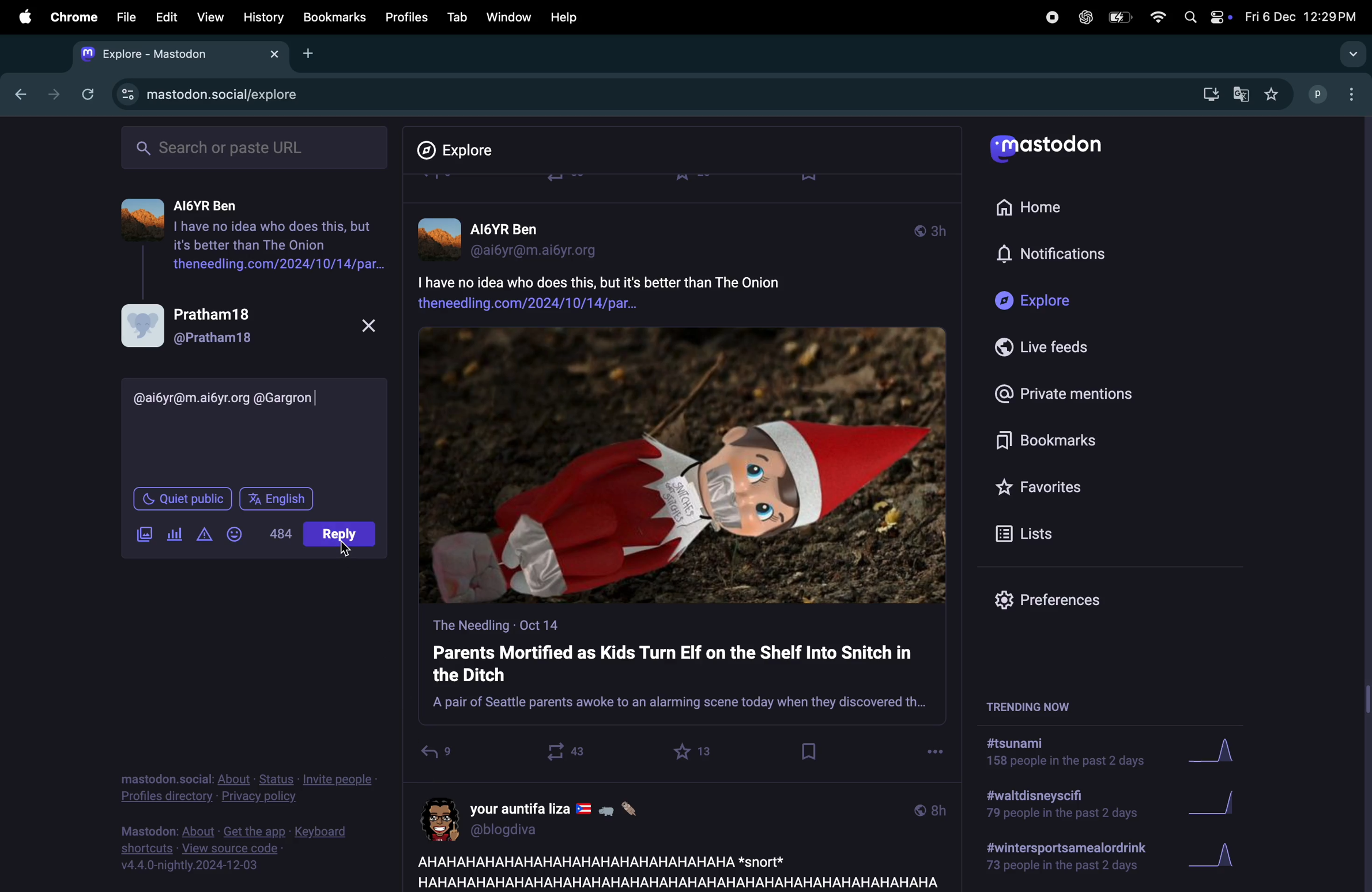 Image resolution: width=1372 pixels, height=892 pixels. I want to click on image, so click(683, 466).